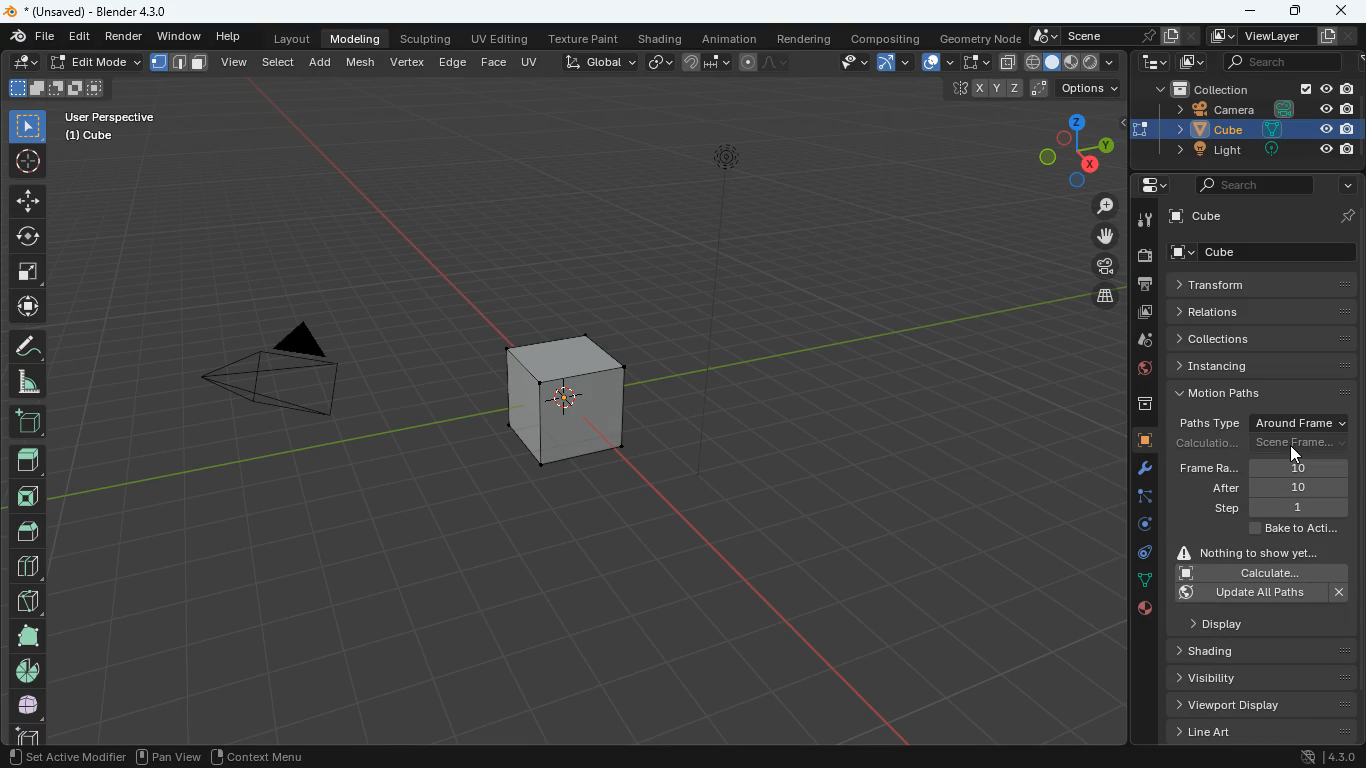 The width and height of the screenshot is (1366, 768). Describe the element at coordinates (27, 597) in the screenshot. I see `diagonal` at that location.